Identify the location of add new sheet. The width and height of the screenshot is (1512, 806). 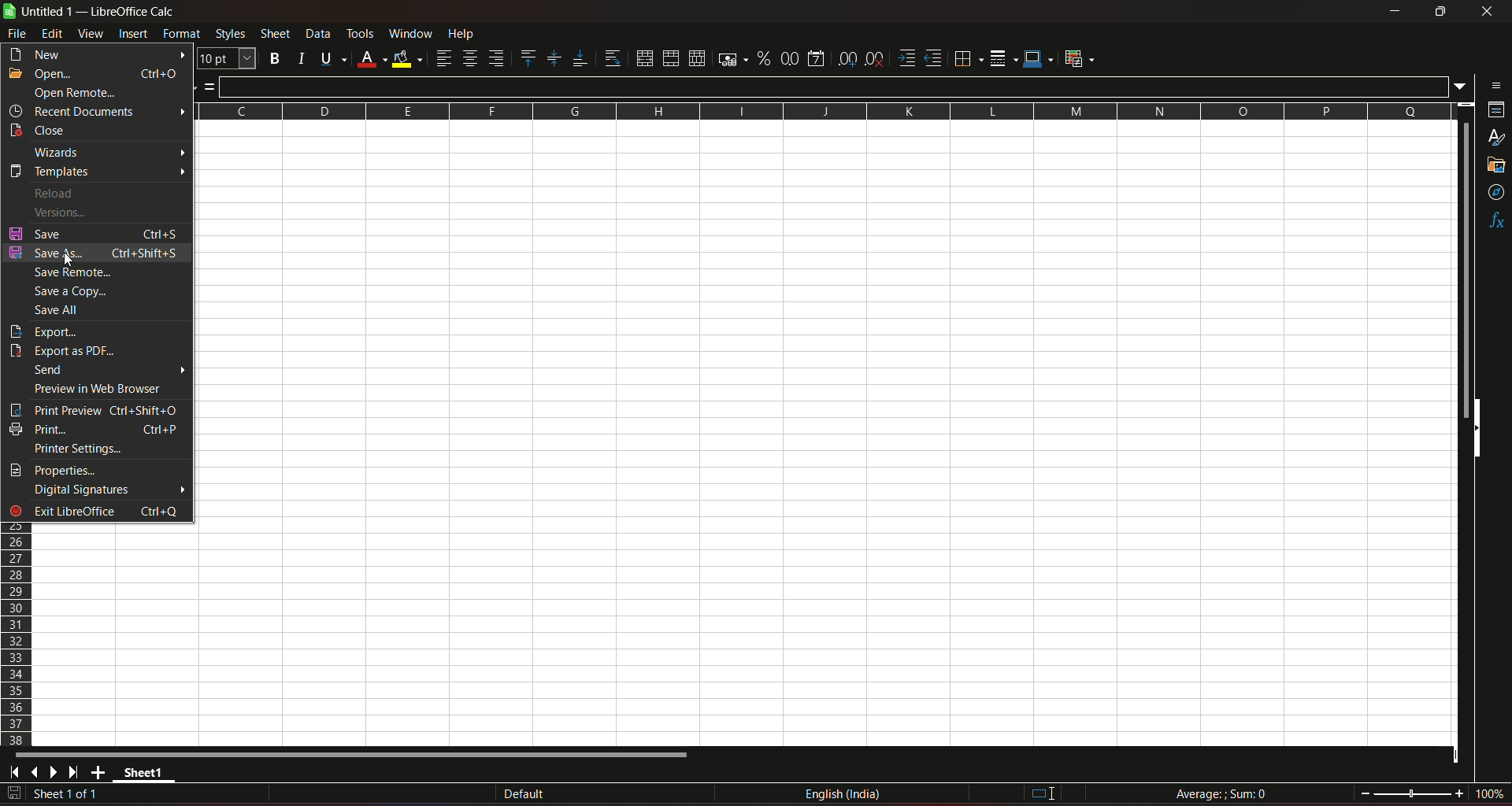
(98, 772).